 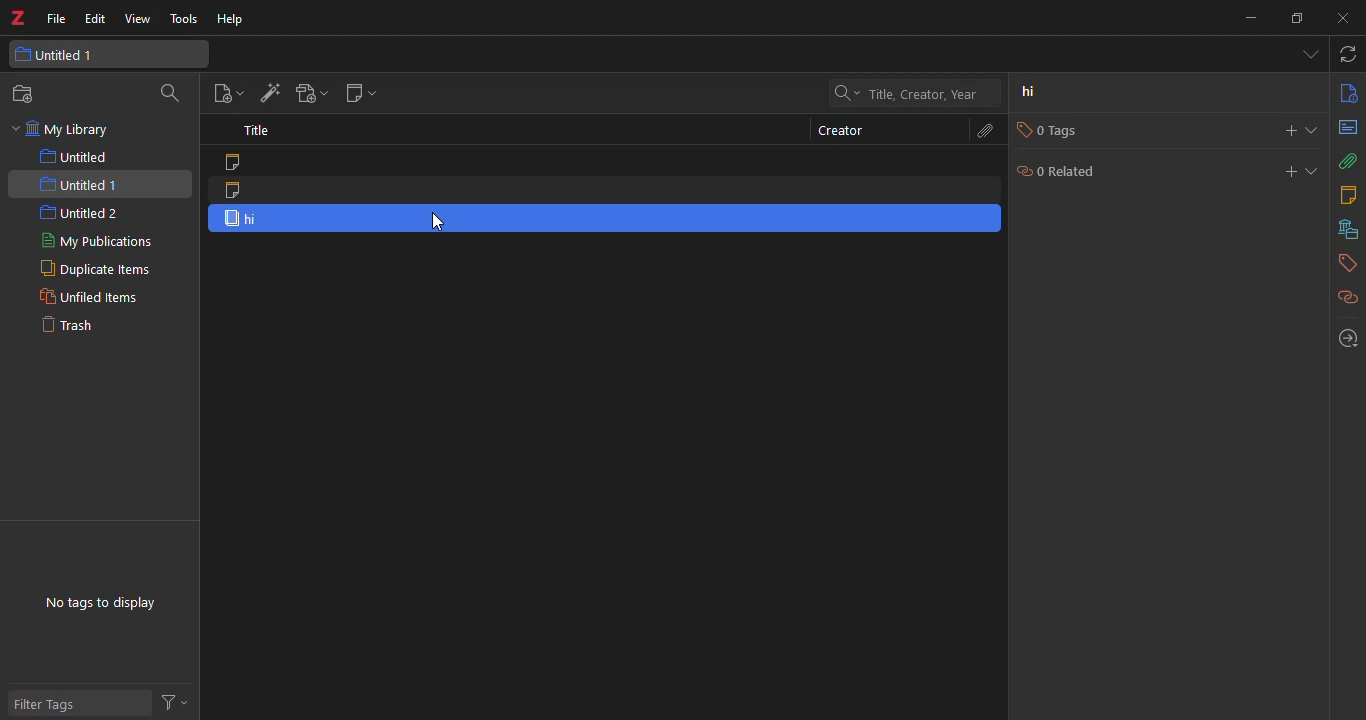 What do you see at coordinates (234, 21) in the screenshot?
I see `help` at bounding box center [234, 21].